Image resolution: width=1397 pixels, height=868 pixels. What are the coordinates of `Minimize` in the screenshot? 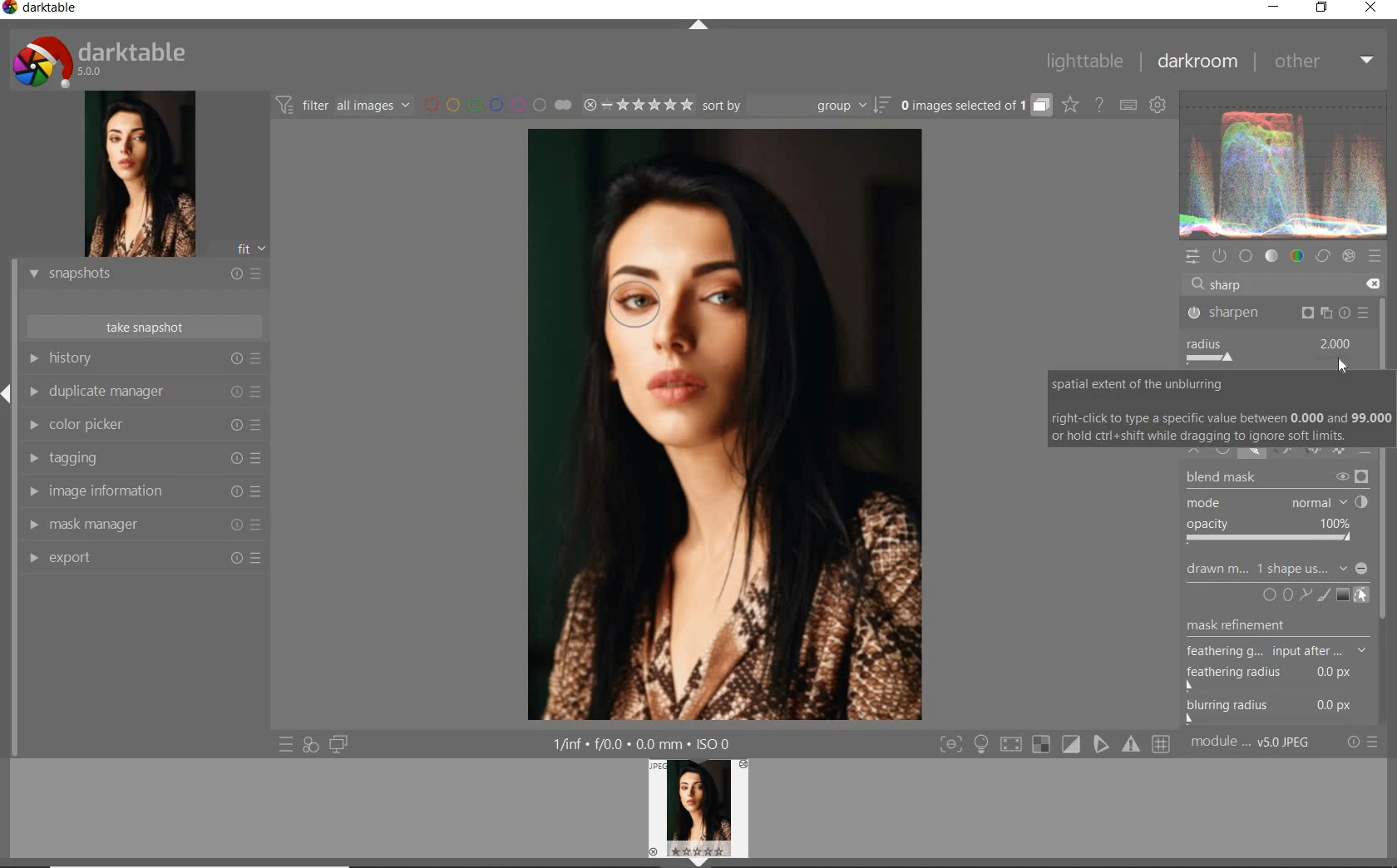 It's located at (1363, 569).